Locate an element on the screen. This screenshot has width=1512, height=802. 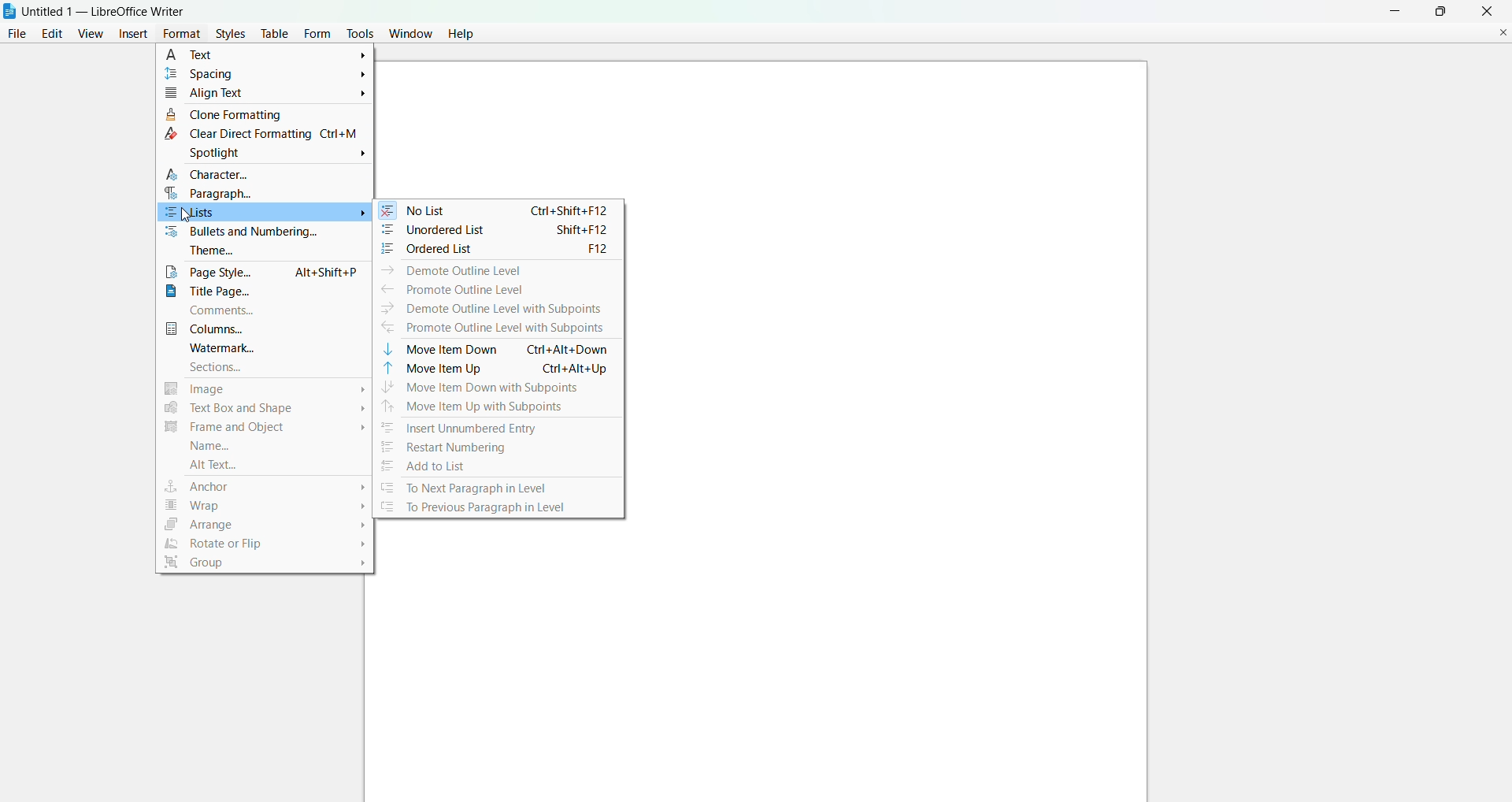
anchor is located at coordinates (261, 489).